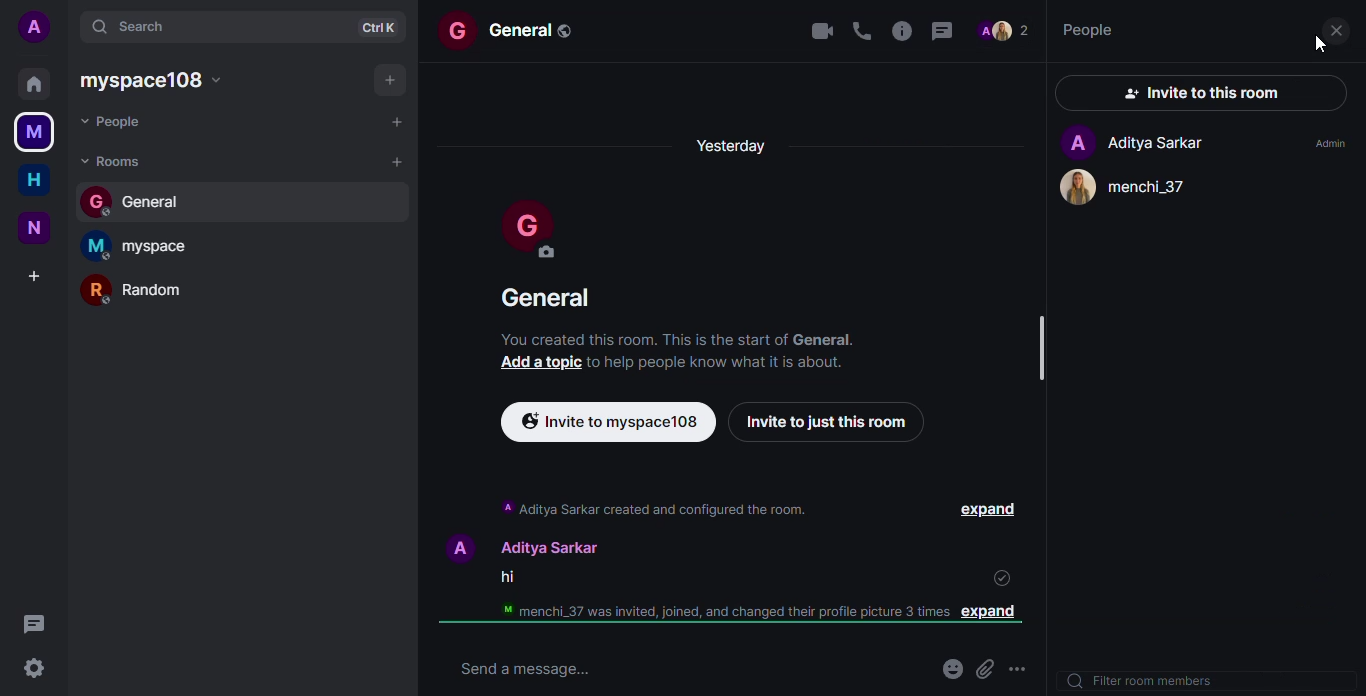 This screenshot has height=696, width=1366. I want to click on ‘You created this room. This is the start of General., so click(692, 342).